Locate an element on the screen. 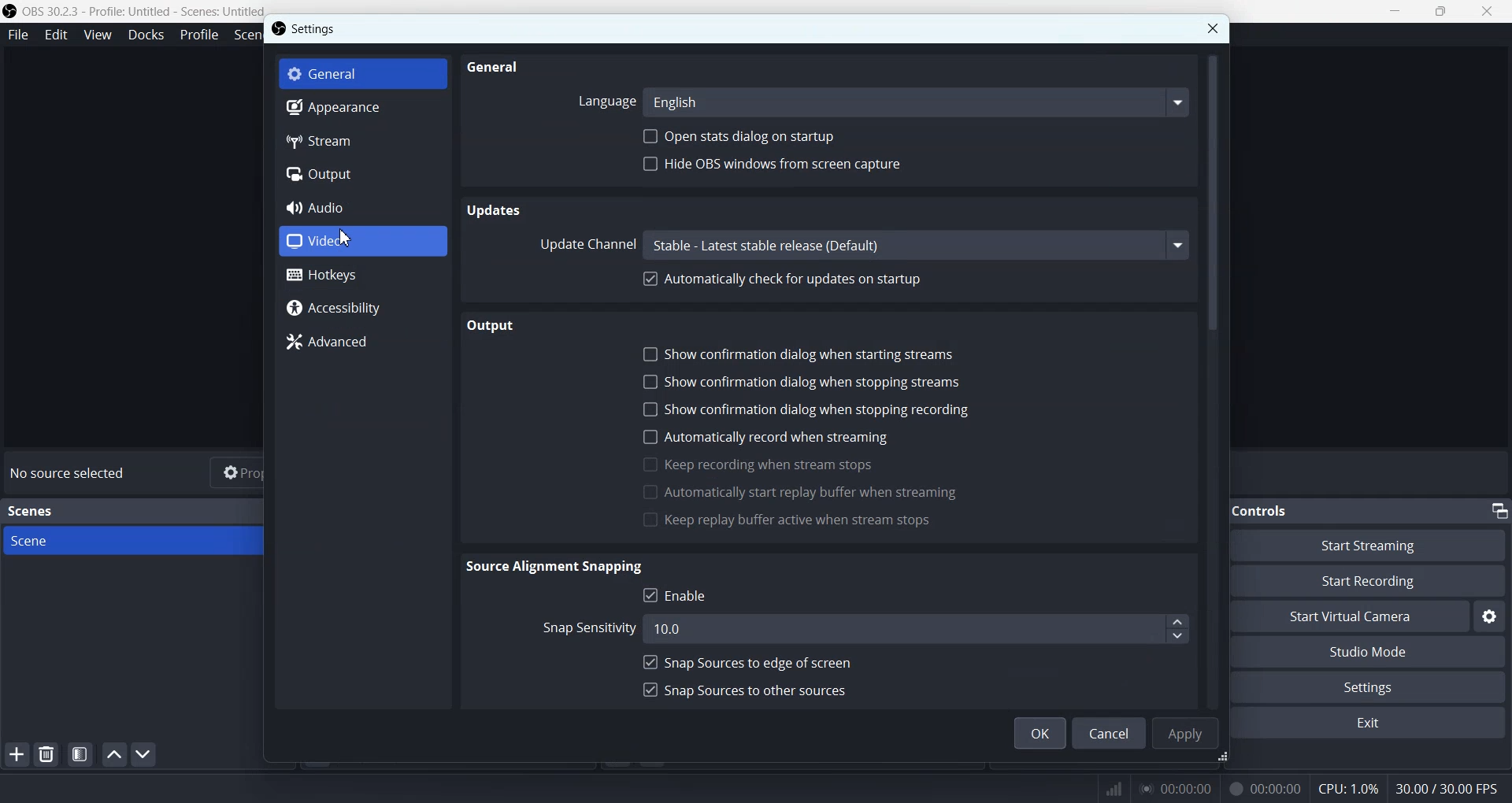 The image size is (1512, 803). Automatically check for updates on startup is located at coordinates (794, 279).